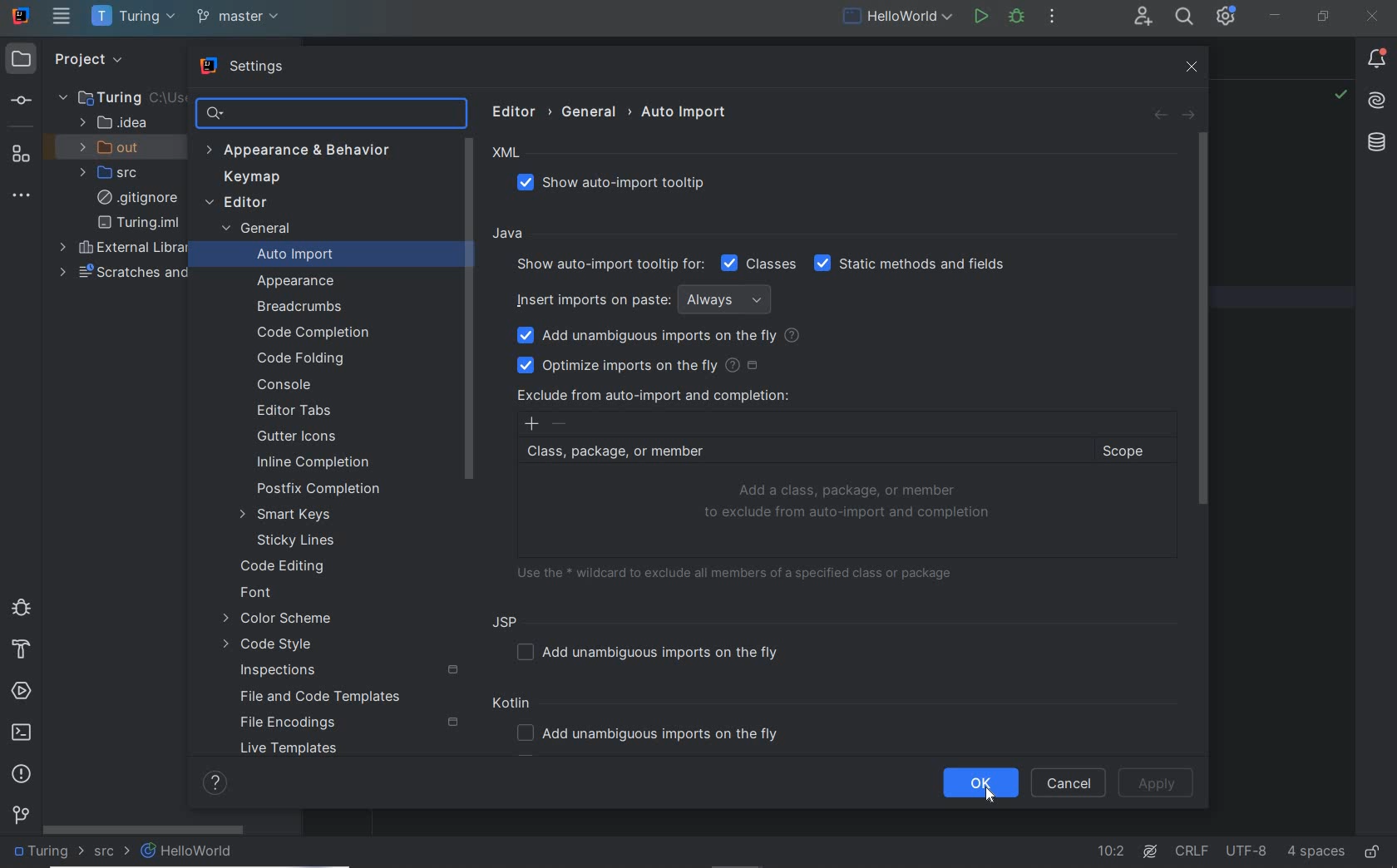  I want to click on external libraries, so click(126, 249).